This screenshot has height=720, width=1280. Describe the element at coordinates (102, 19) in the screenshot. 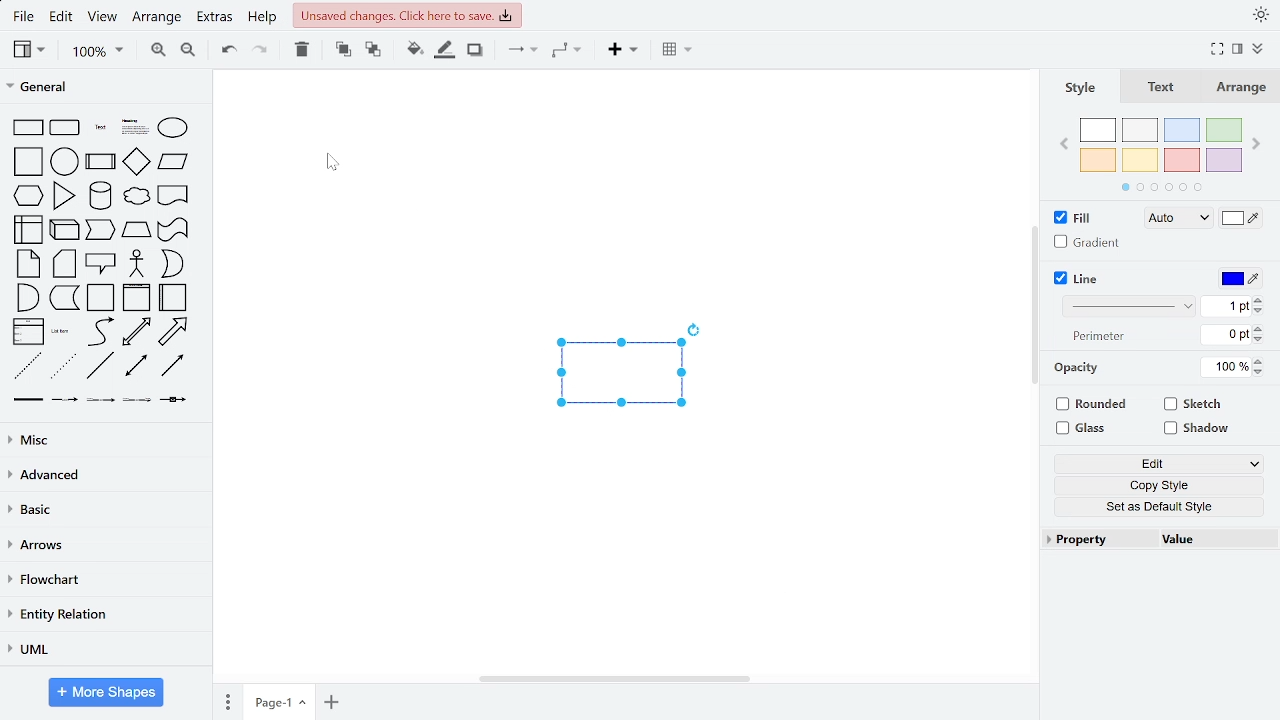

I see `view` at that location.